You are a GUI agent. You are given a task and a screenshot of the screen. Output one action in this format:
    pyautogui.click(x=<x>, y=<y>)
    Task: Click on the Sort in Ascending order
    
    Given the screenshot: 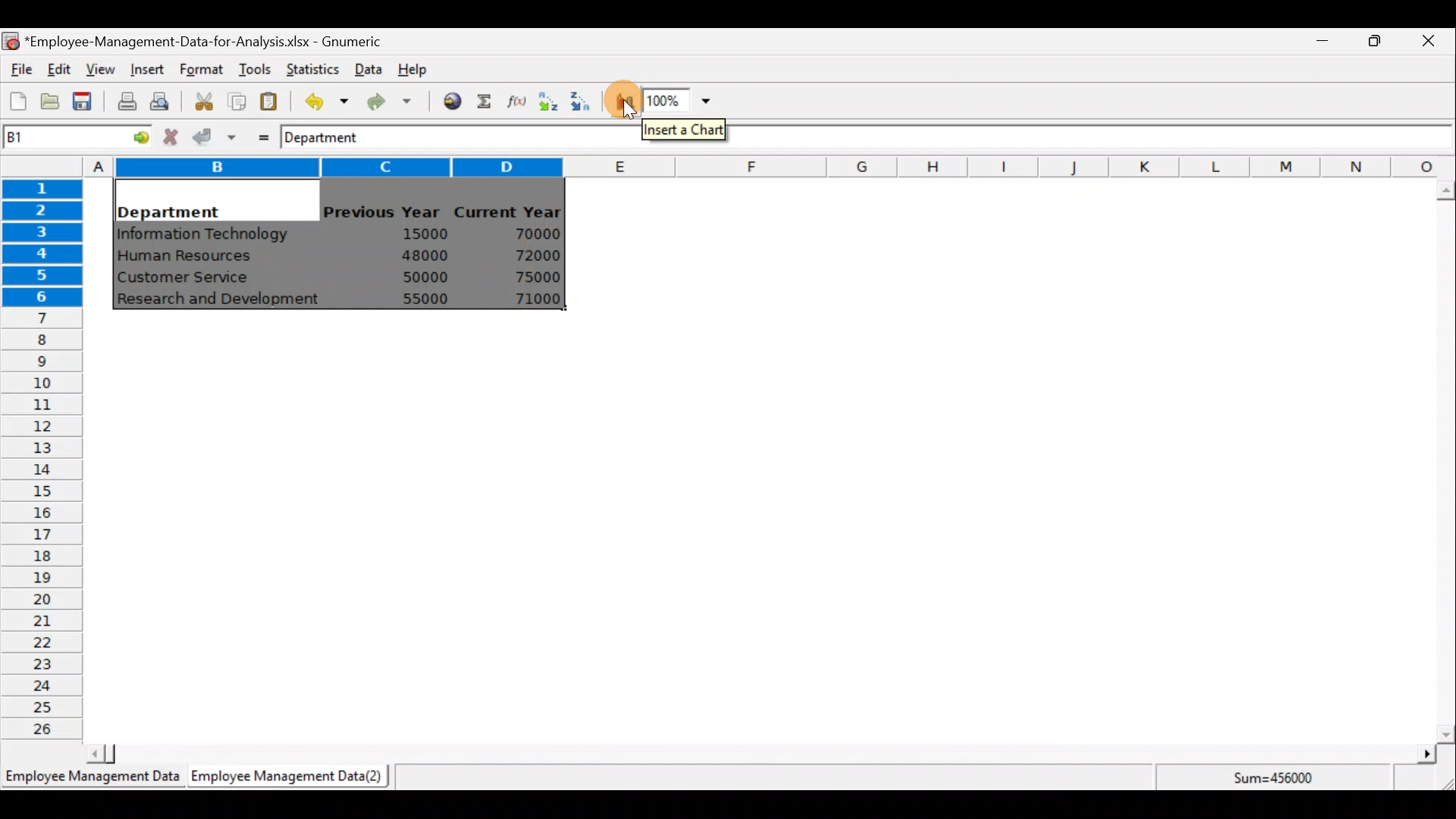 What is the action you would take?
    pyautogui.click(x=548, y=101)
    